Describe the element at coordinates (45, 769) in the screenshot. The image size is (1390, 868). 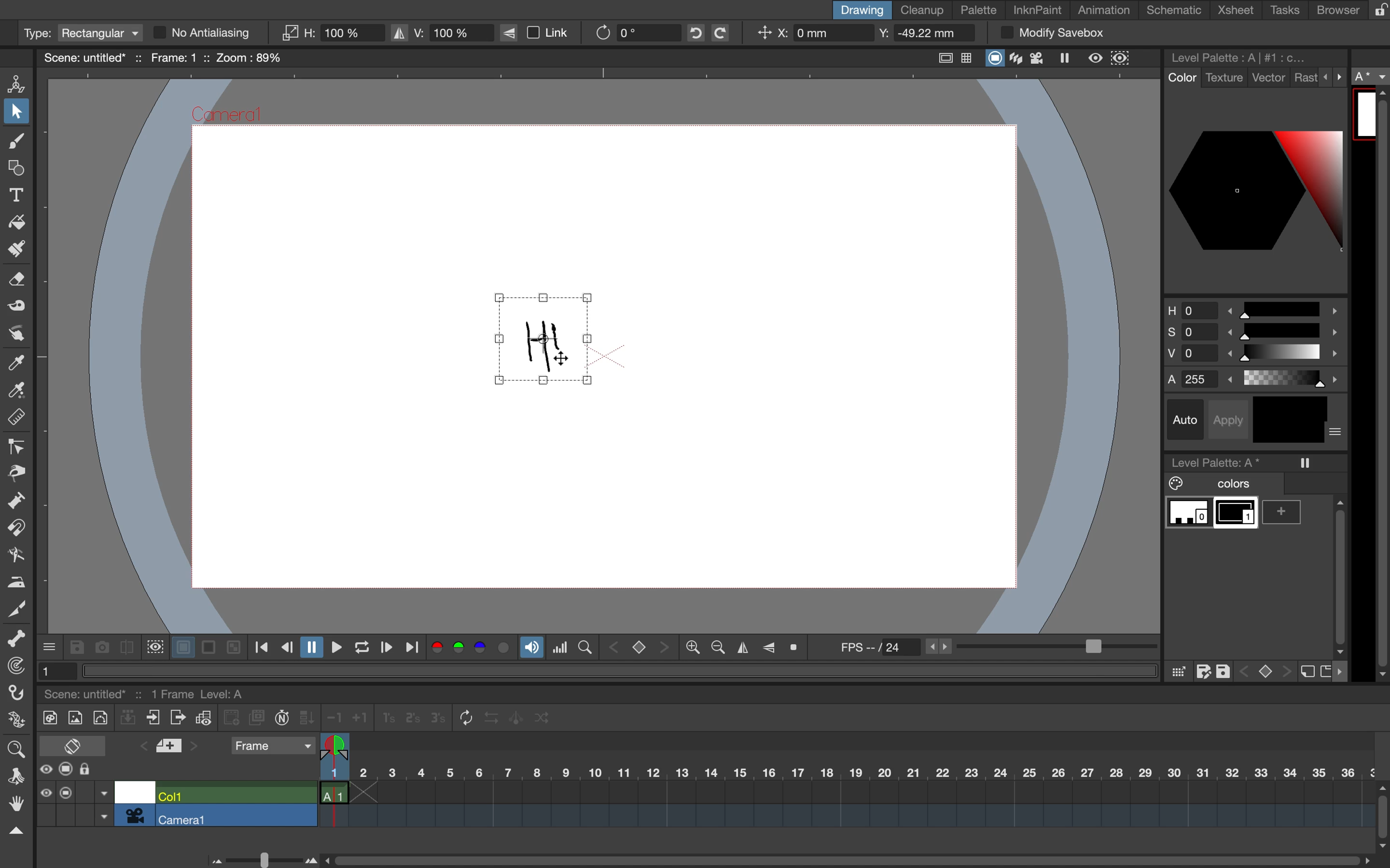
I see `preview visibility toggle all` at that location.